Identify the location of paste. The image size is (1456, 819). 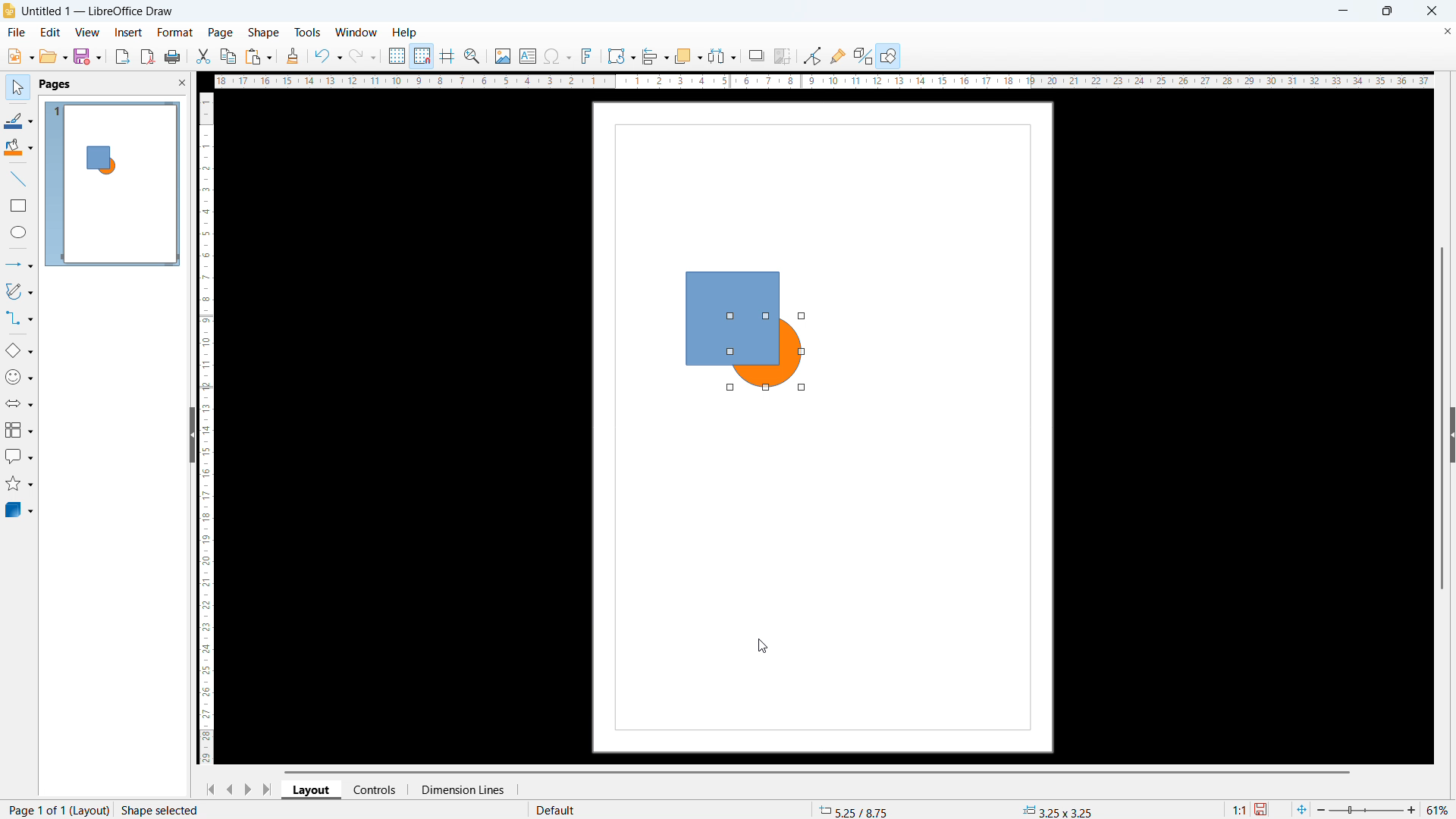
(259, 56).